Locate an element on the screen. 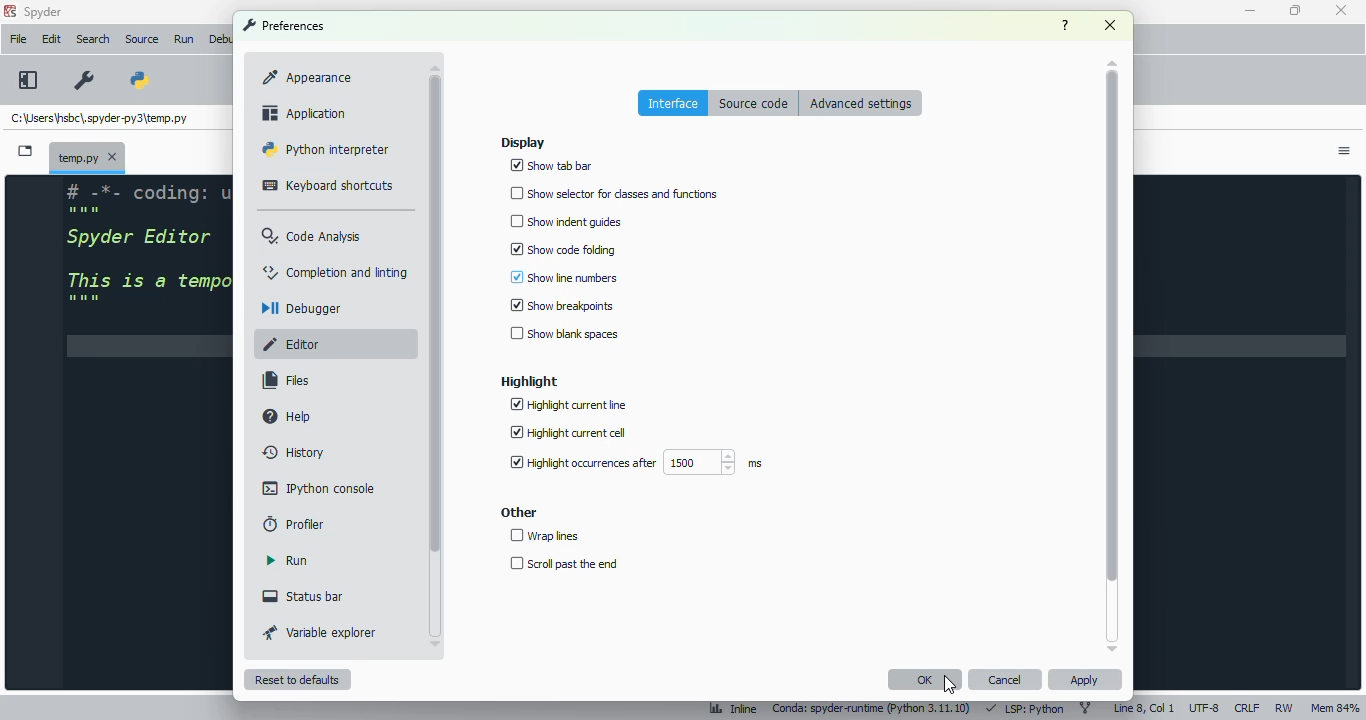 The image size is (1366, 720). temp is located at coordinates (88, 156).